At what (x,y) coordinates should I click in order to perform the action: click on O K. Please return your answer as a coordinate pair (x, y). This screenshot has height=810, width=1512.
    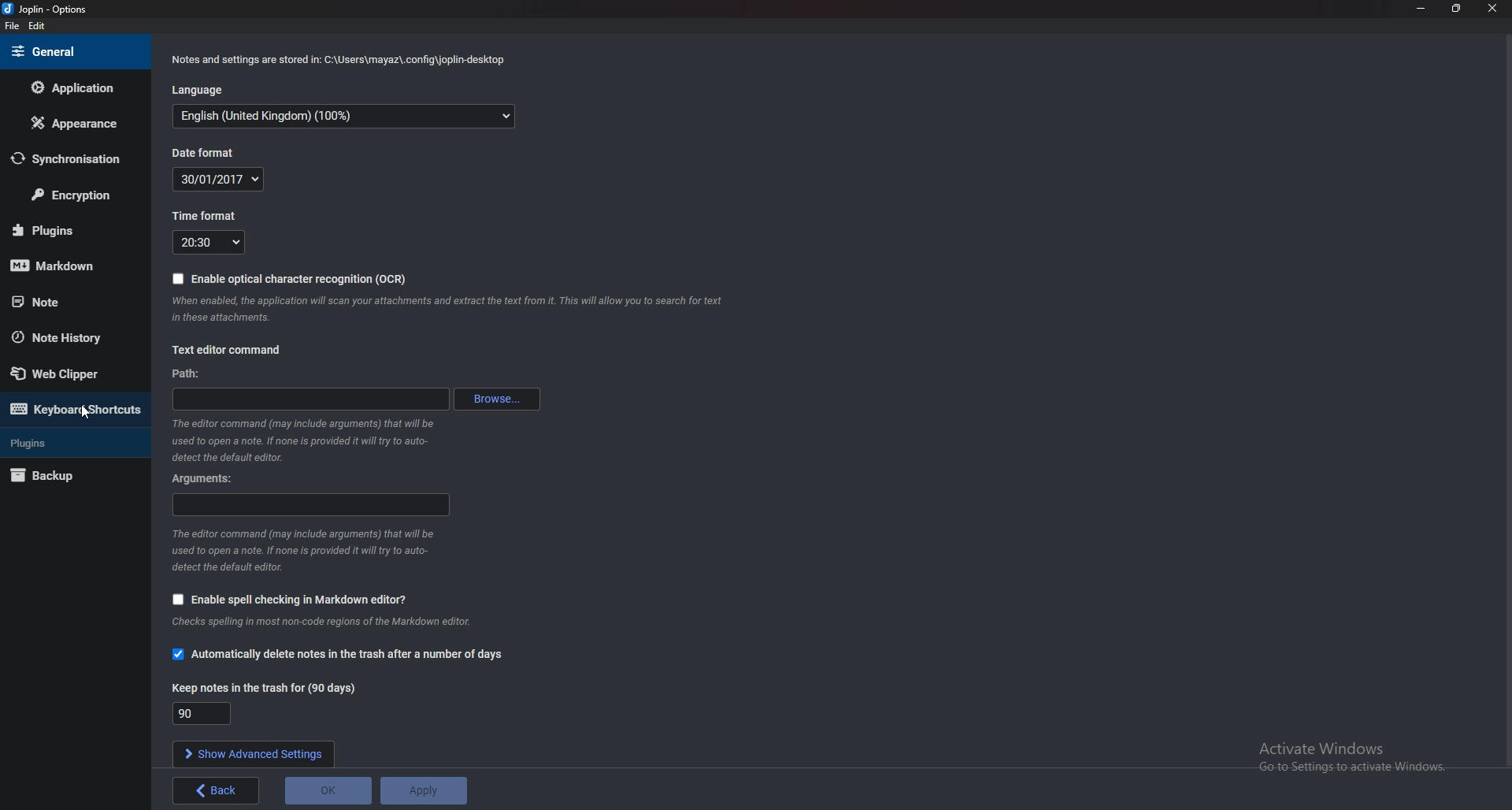
    Looking at the image, I should click on (330, 790).